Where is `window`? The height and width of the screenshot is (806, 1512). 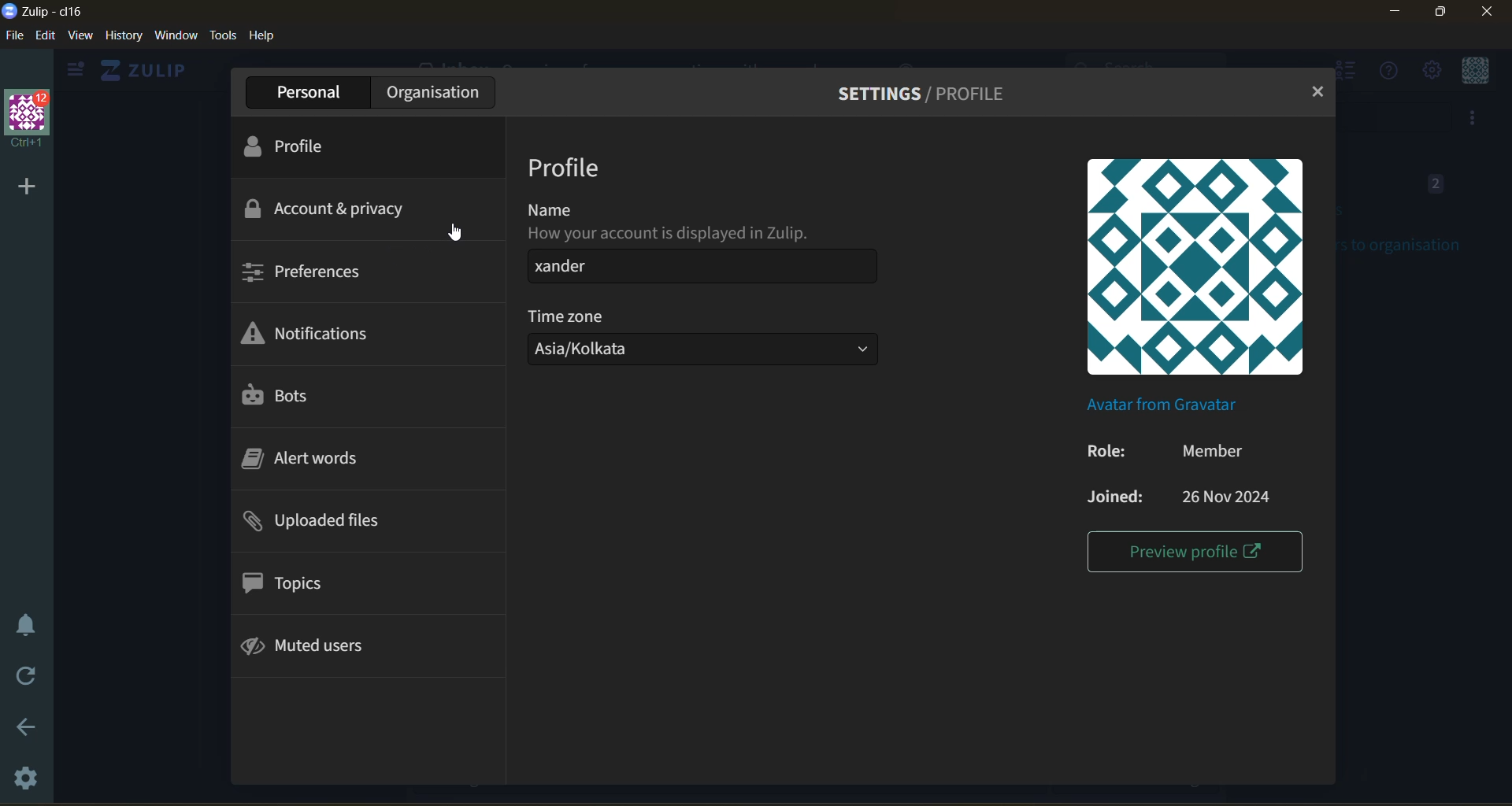 window is located at coordinates (175, 38).